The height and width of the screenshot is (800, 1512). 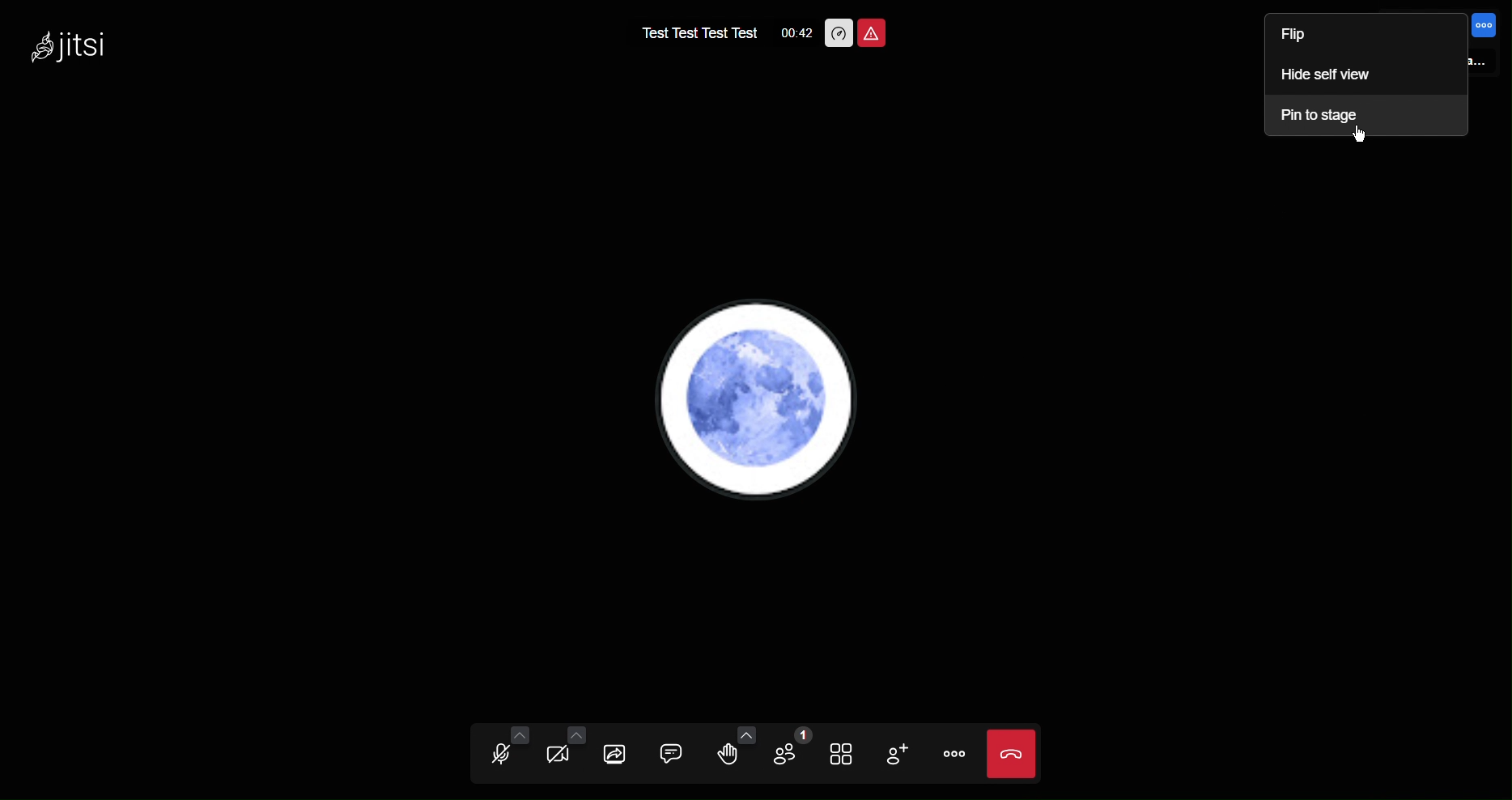 What do you see at coordinates (561, 754) in the screenshot?
I see `Video` at bounding box center [561, 754].